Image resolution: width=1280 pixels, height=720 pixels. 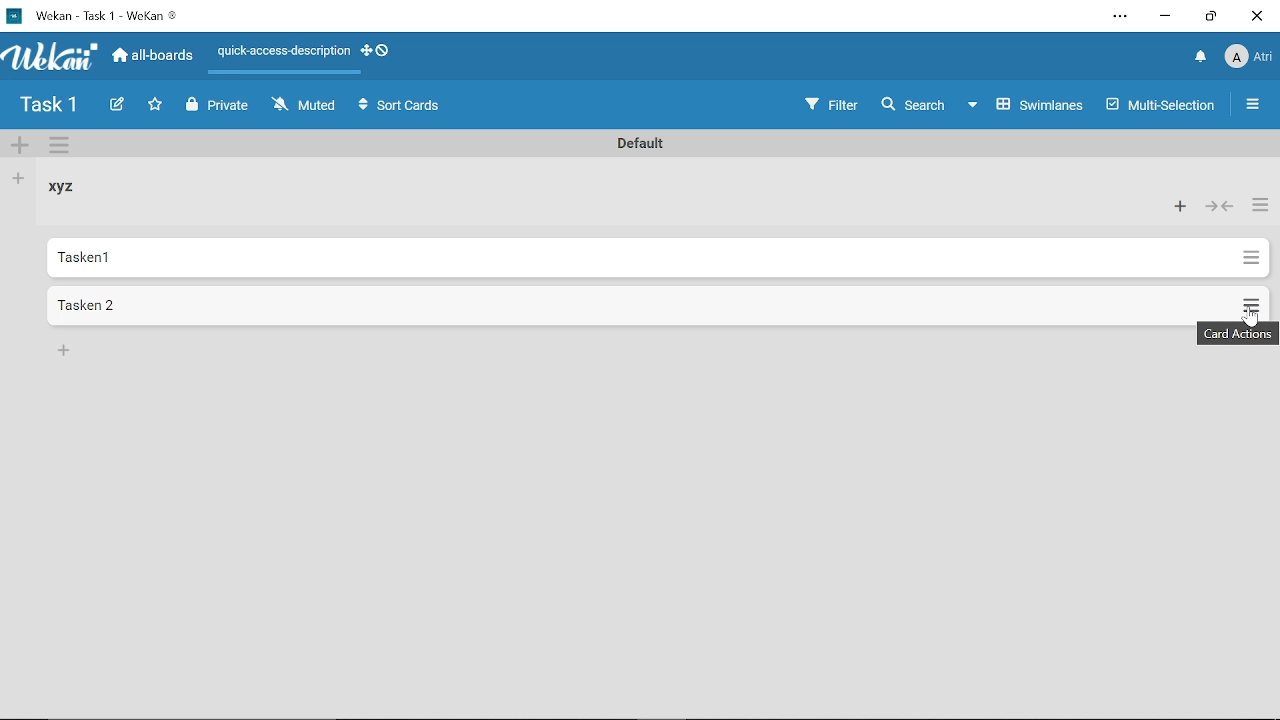 I want to click on Muted, so click(x=306, y=107).